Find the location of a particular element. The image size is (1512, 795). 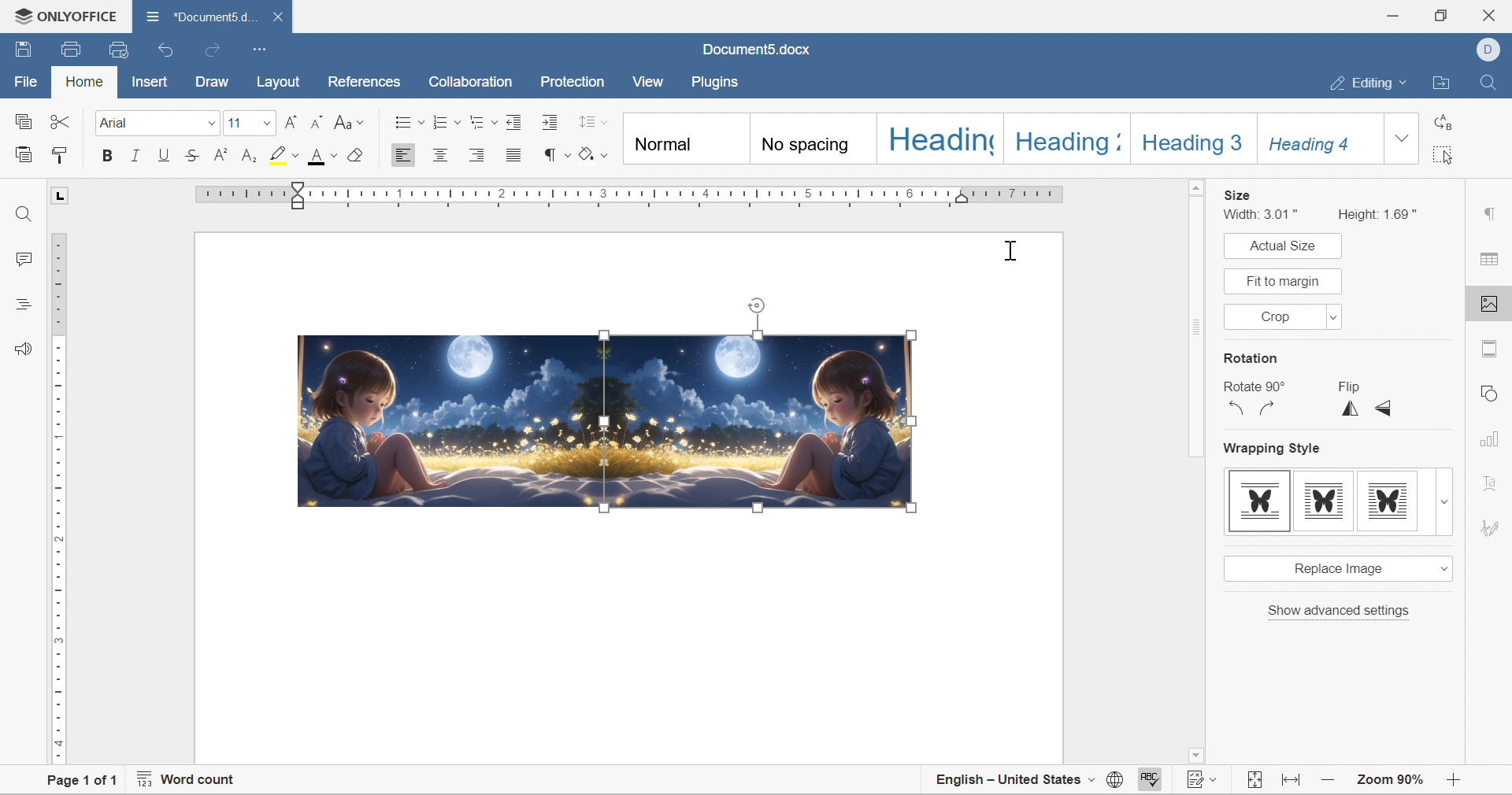

paste is located at coordinates (24, 153).